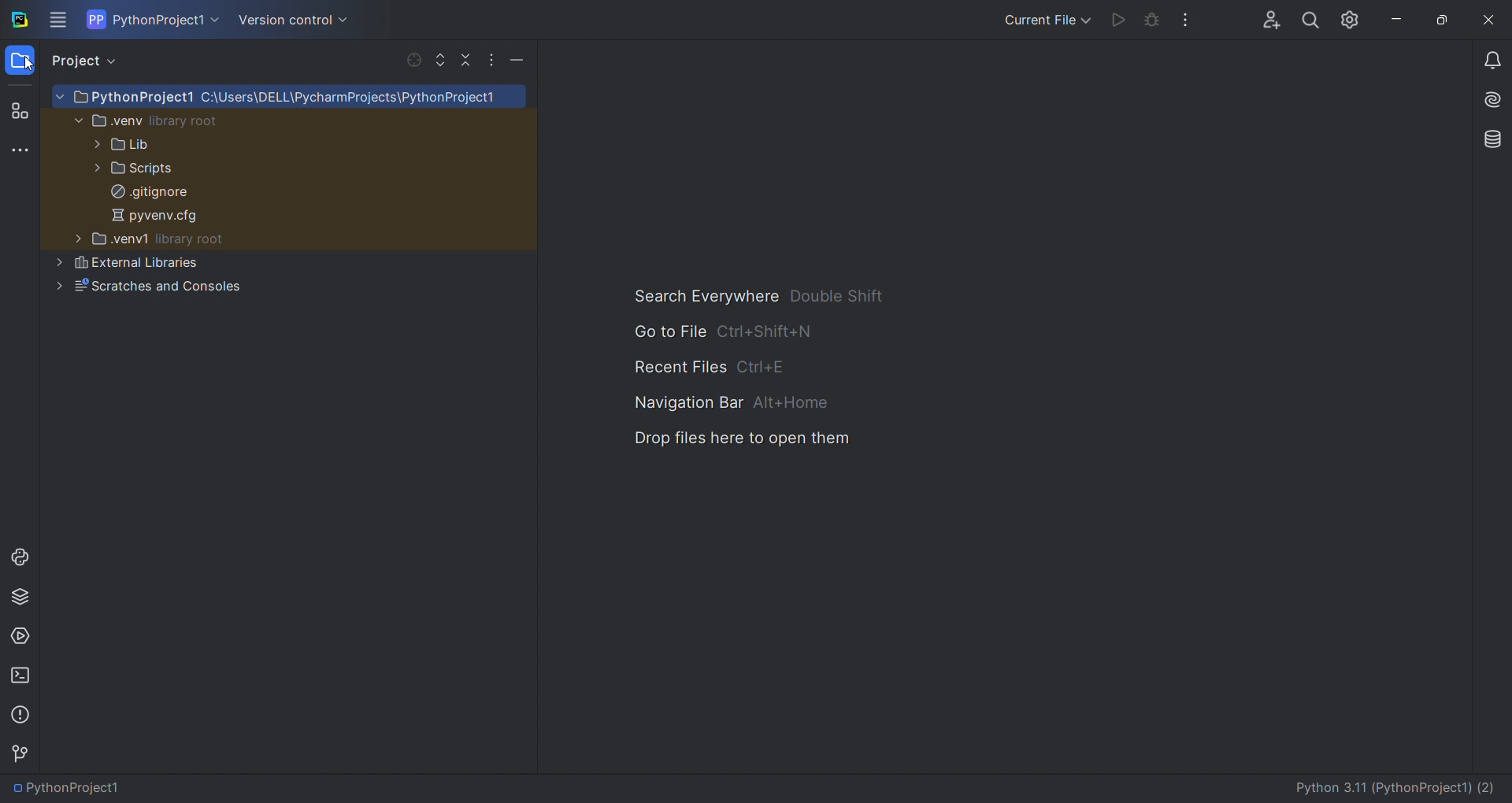  What do you see at coordinates (1484, 60) in the screenshot?
I see `notifications` at bounding box center [1484, 60].